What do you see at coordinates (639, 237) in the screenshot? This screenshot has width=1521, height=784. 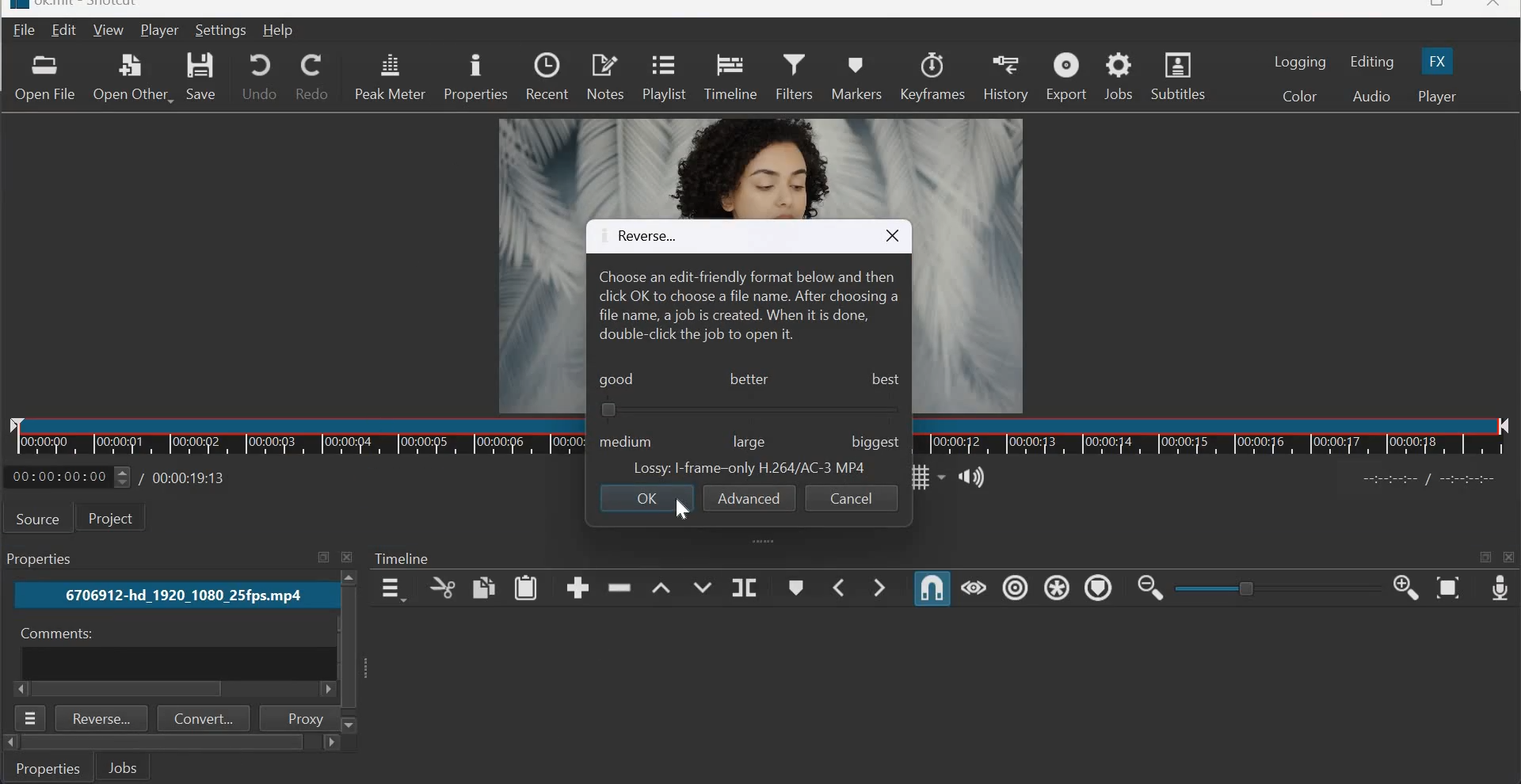 I see `reverse` at bounding box center [639, 237].